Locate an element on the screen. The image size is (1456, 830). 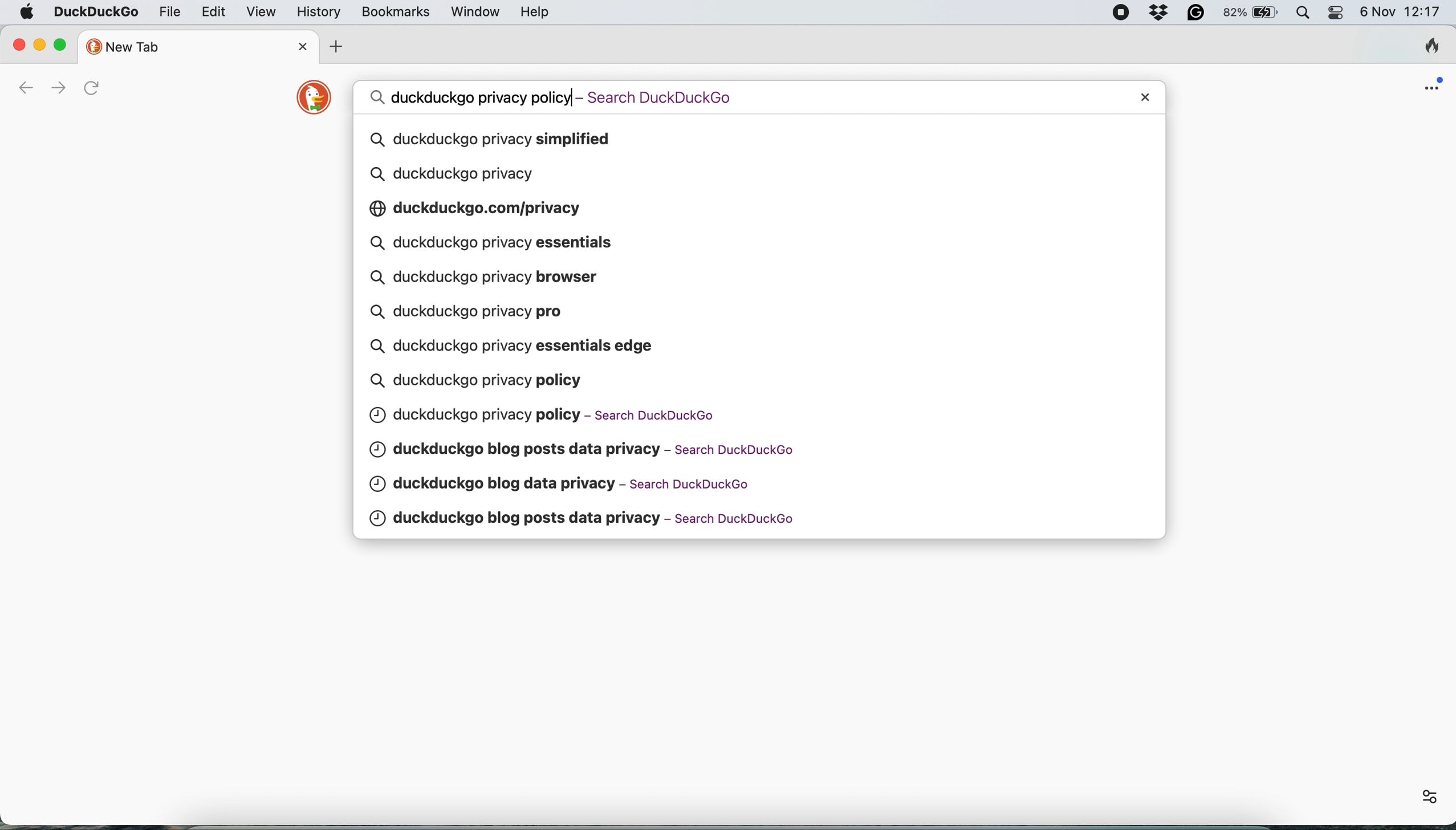
view is located at coordinates (262, 13).